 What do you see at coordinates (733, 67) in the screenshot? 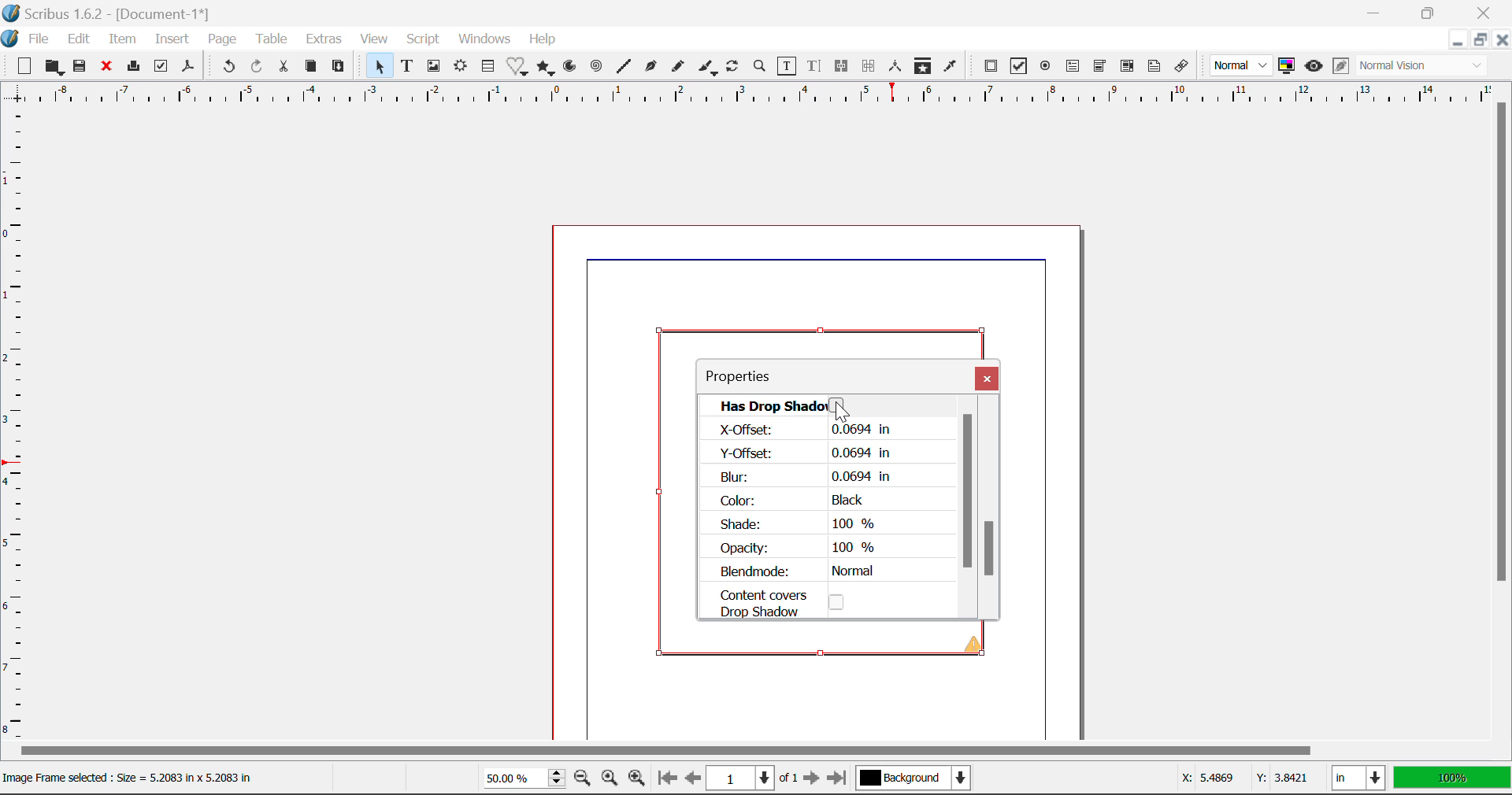
I see `Refresh` at bounding box center [733, 67].